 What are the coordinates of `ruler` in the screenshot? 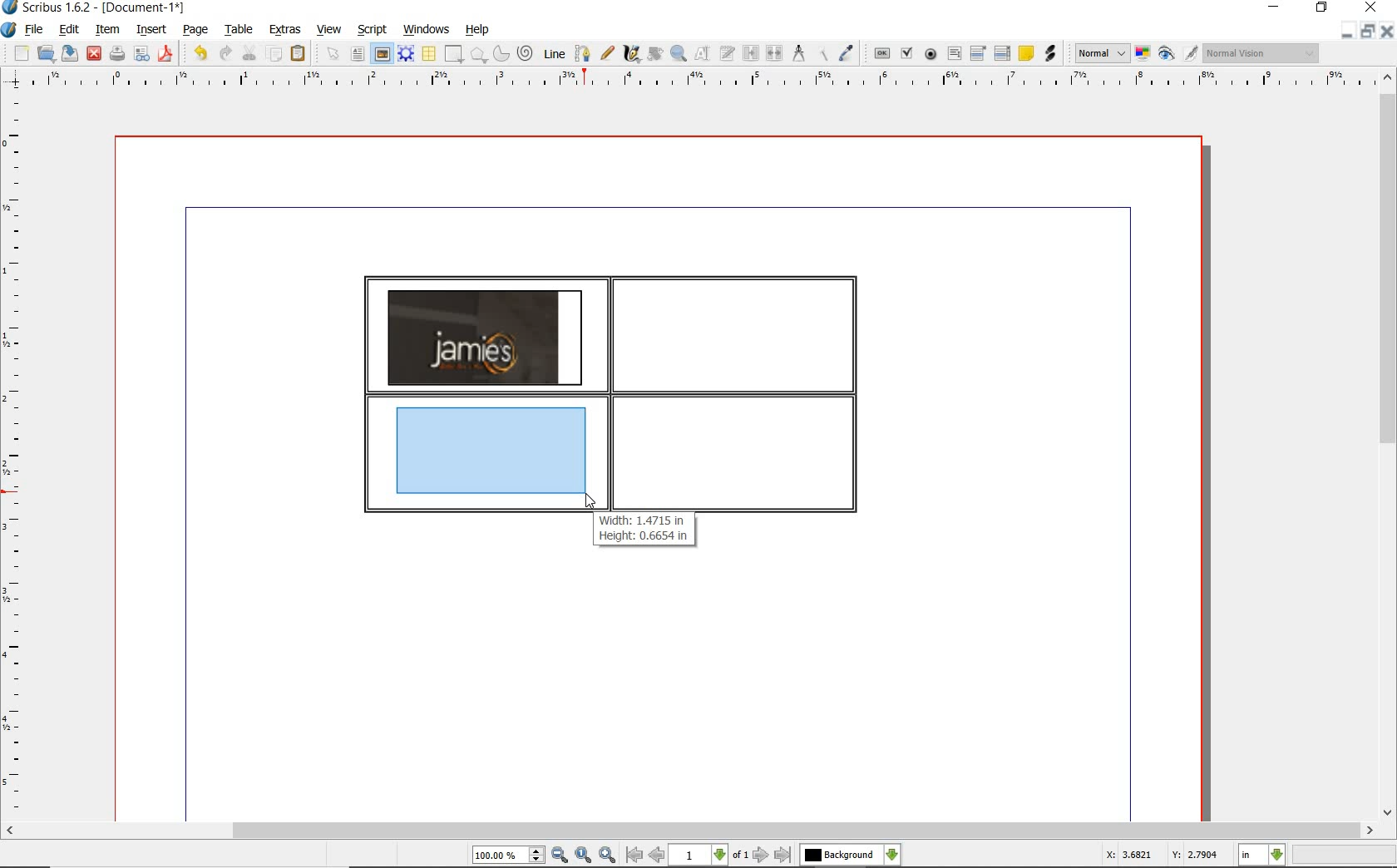 It's located at (706, 80).